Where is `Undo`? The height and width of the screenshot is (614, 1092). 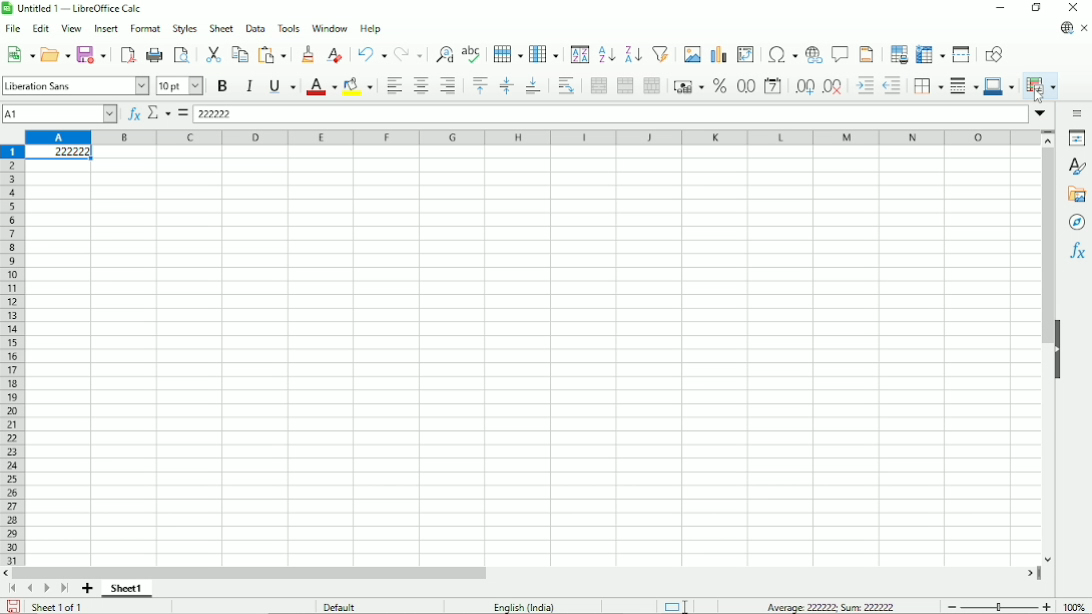
Undo is located at coordinates (371, 53).